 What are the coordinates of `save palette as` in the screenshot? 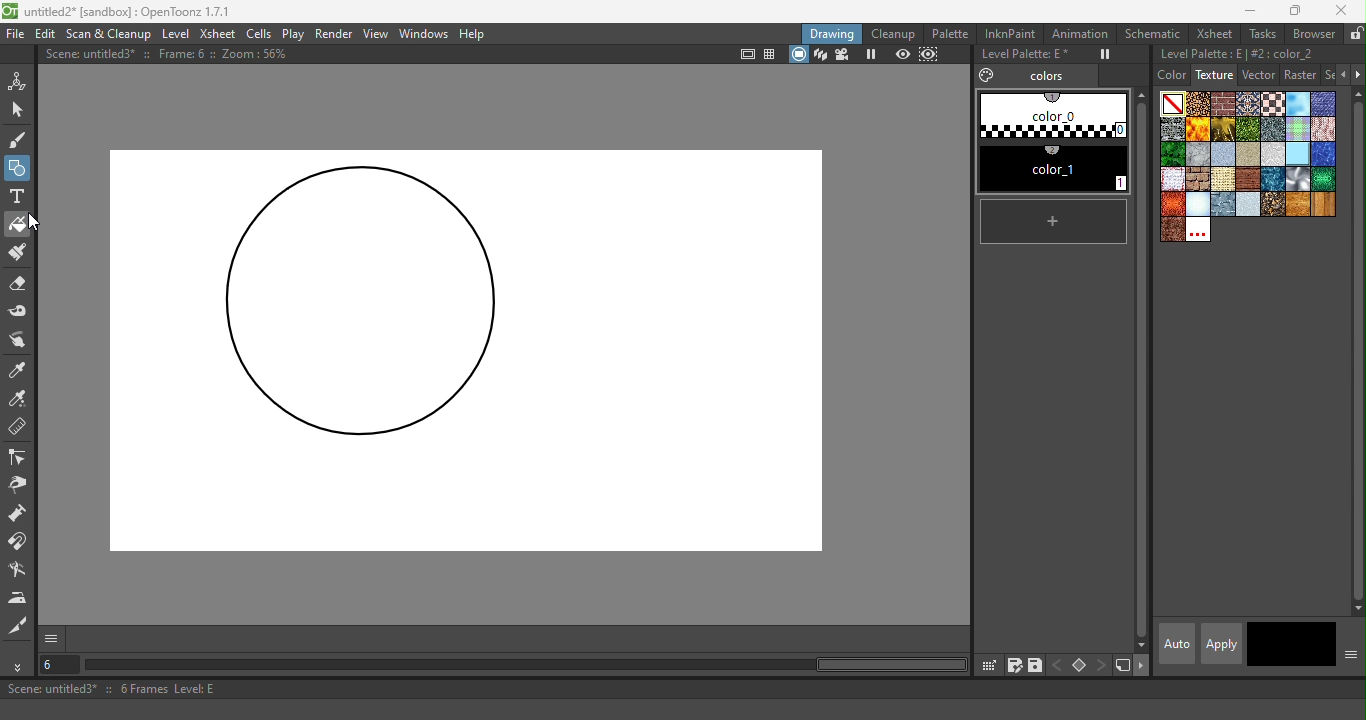 It's located at (1013, 665).